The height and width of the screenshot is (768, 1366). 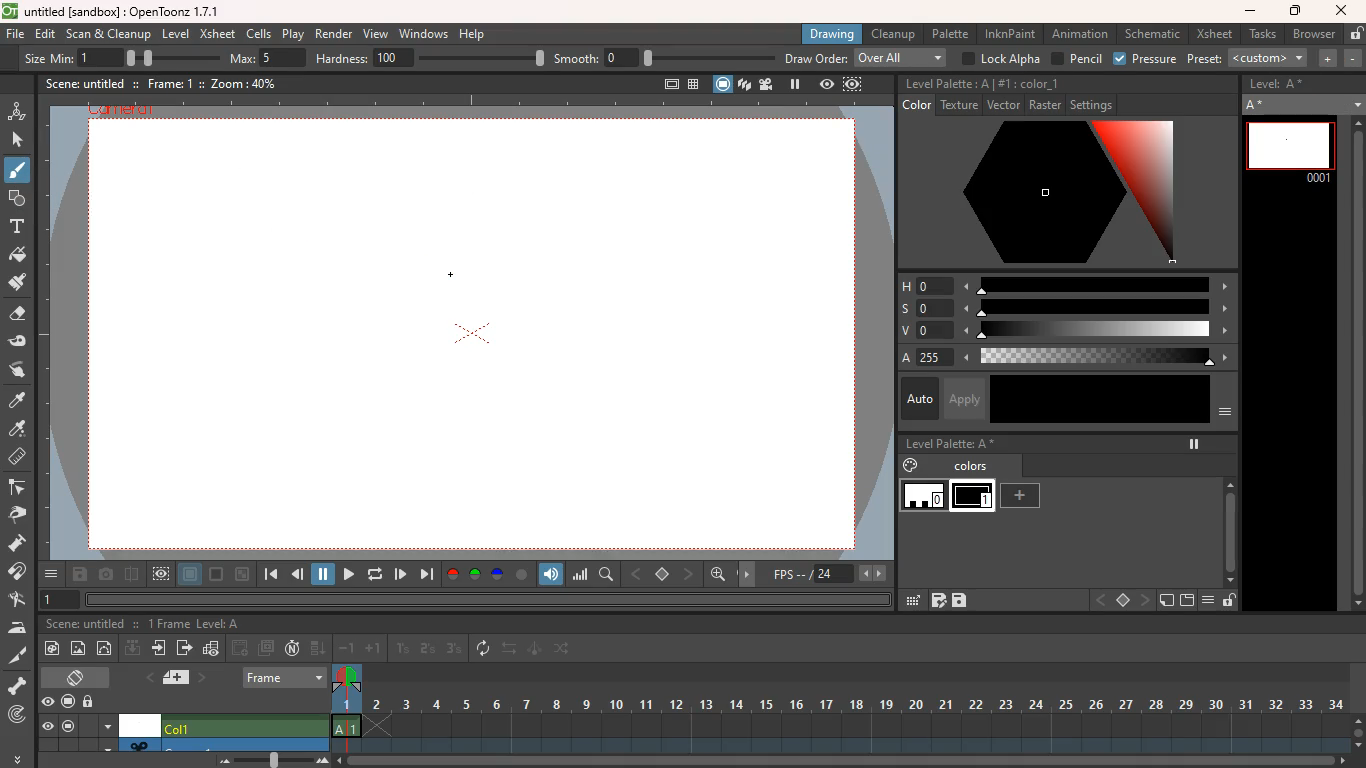 What do you see at coordinates (51, 574) in the screenshot?
I see `more` at bounding box center [51, 574].